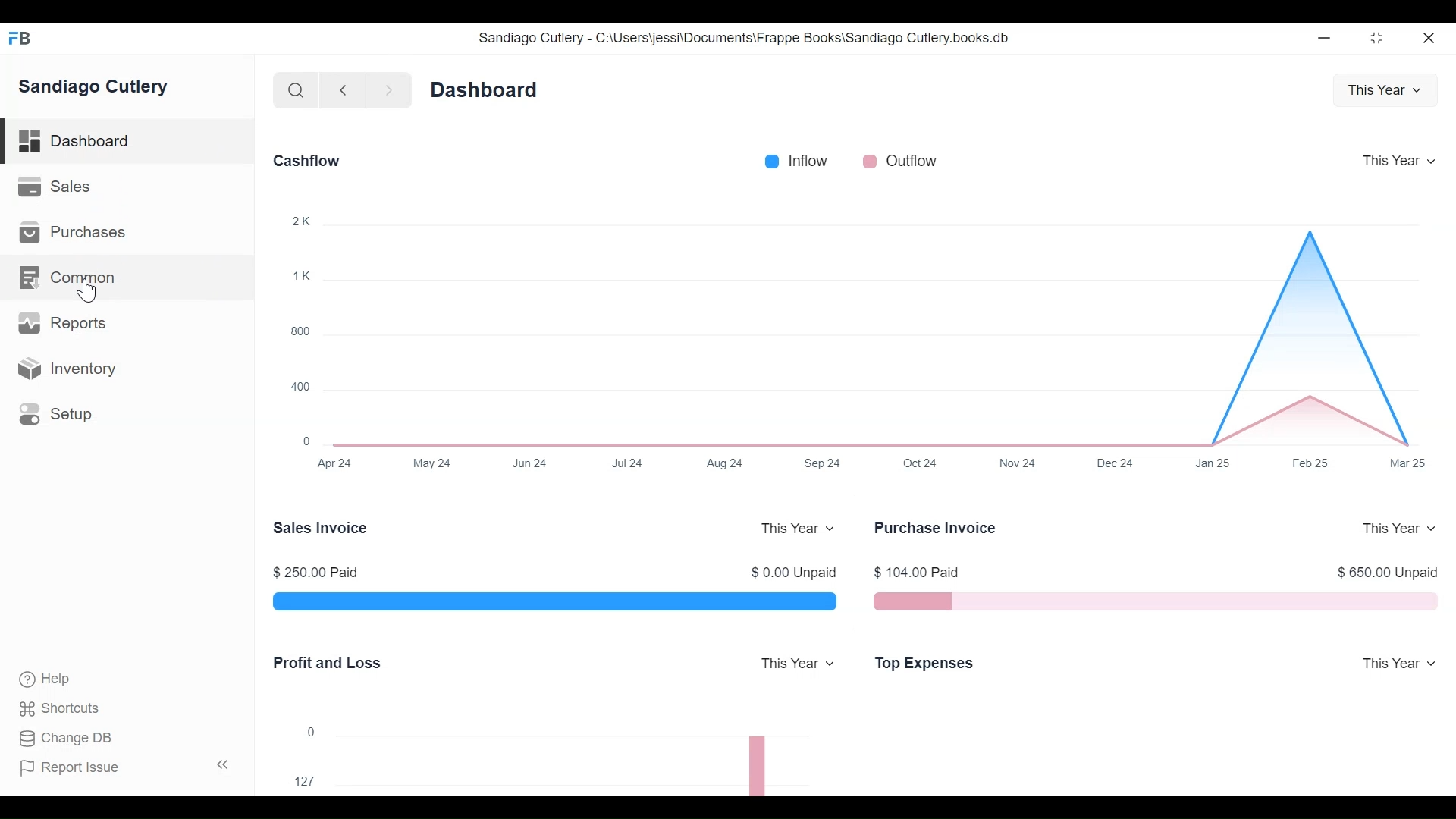  What do you see at coordinates (89, 291) in the screenshot?
I see `cursor` at bounding box center [89, 291].